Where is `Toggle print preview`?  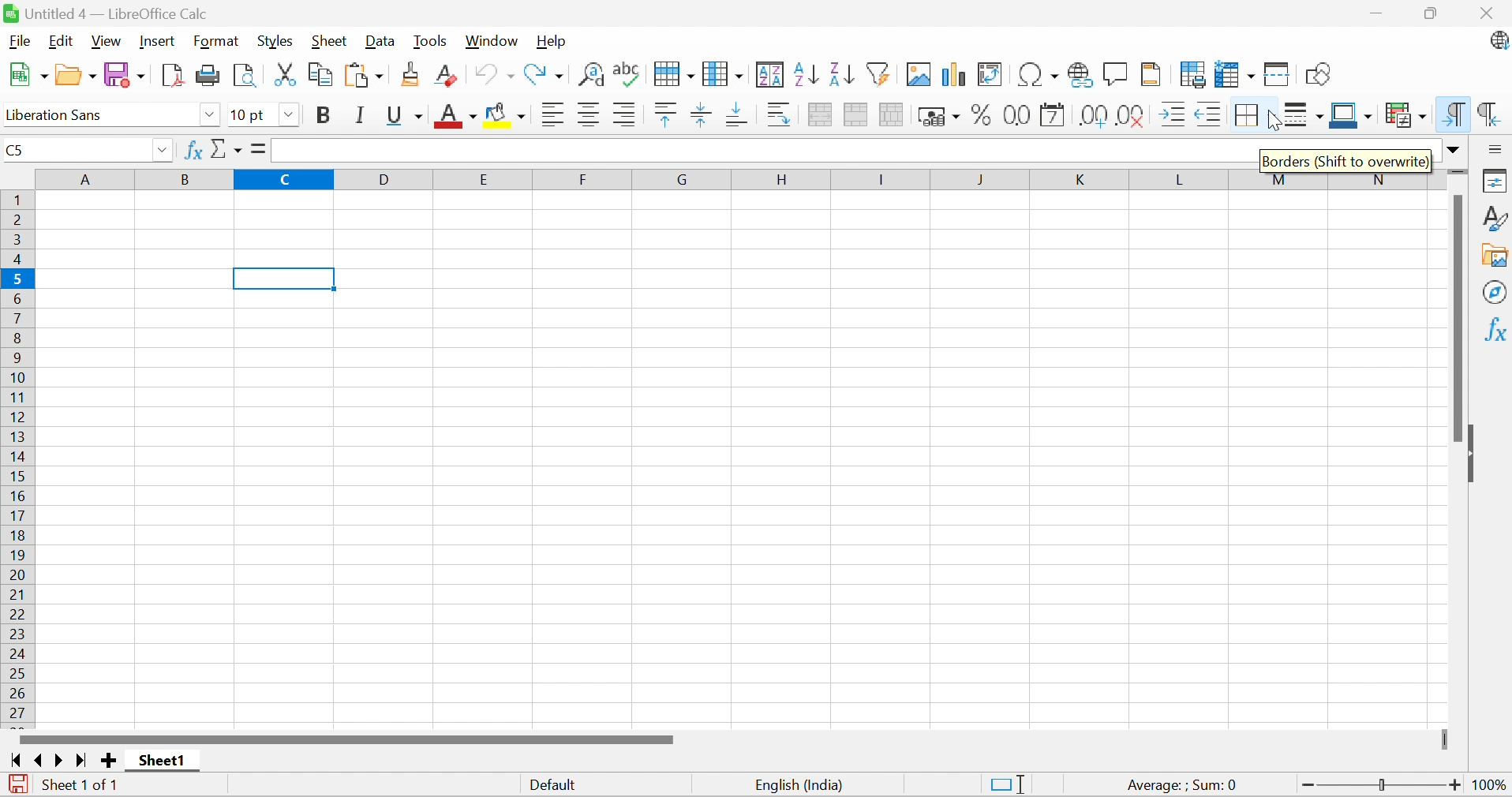
Toggle print preview is located at coordinates (245, 77).